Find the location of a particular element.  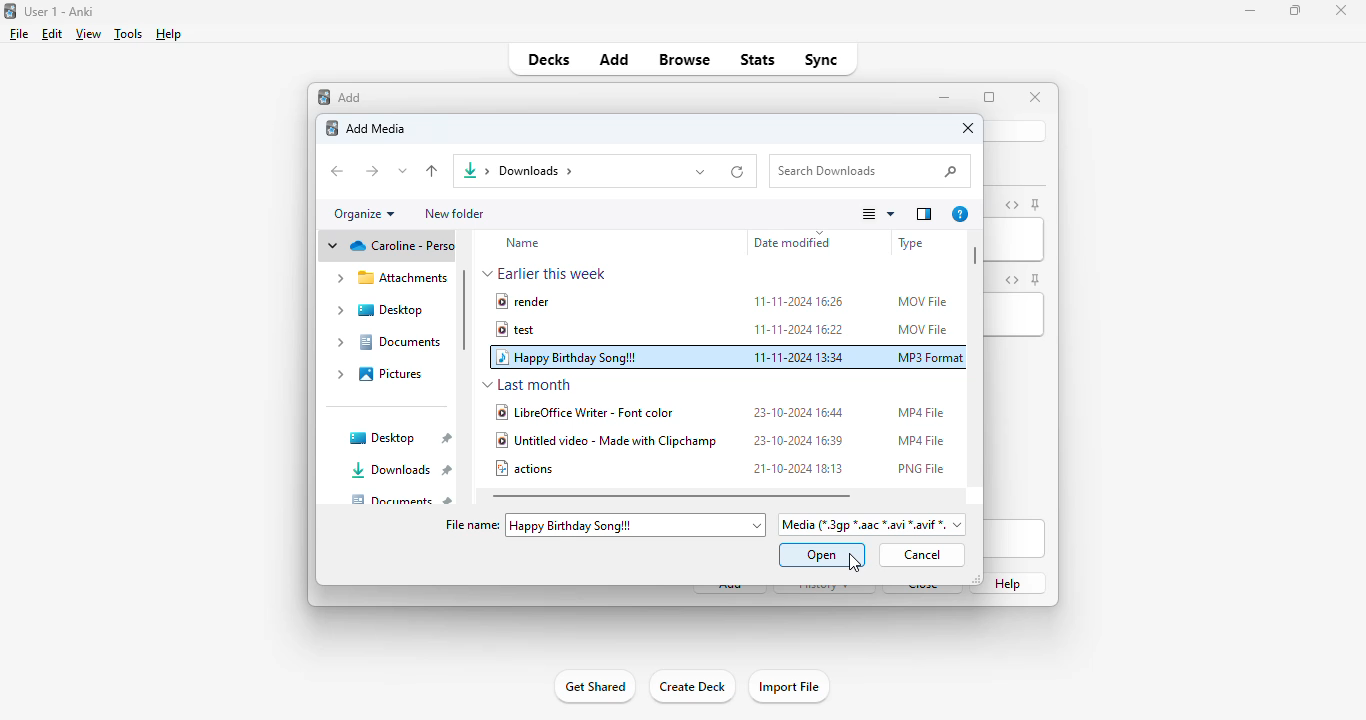

23-10-2024 is located at coordinates (798, 441).